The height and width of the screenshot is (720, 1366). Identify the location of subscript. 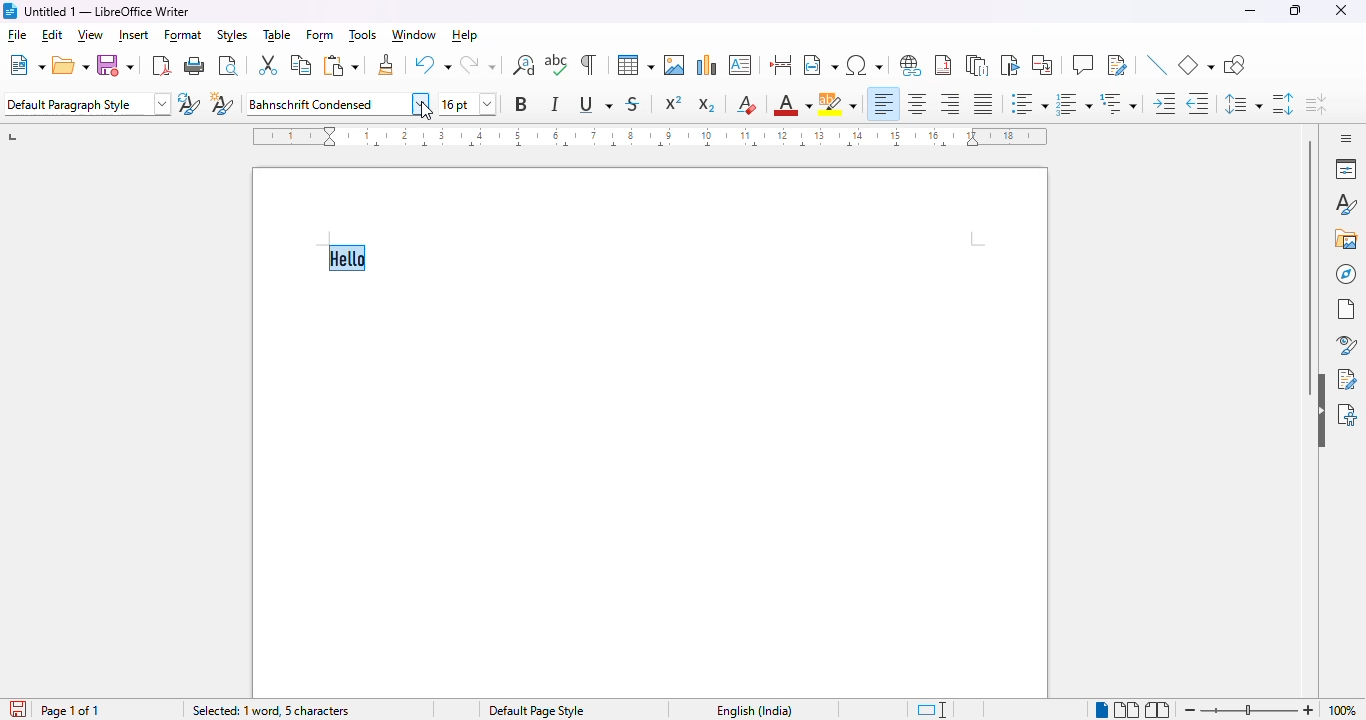
(708, 105).